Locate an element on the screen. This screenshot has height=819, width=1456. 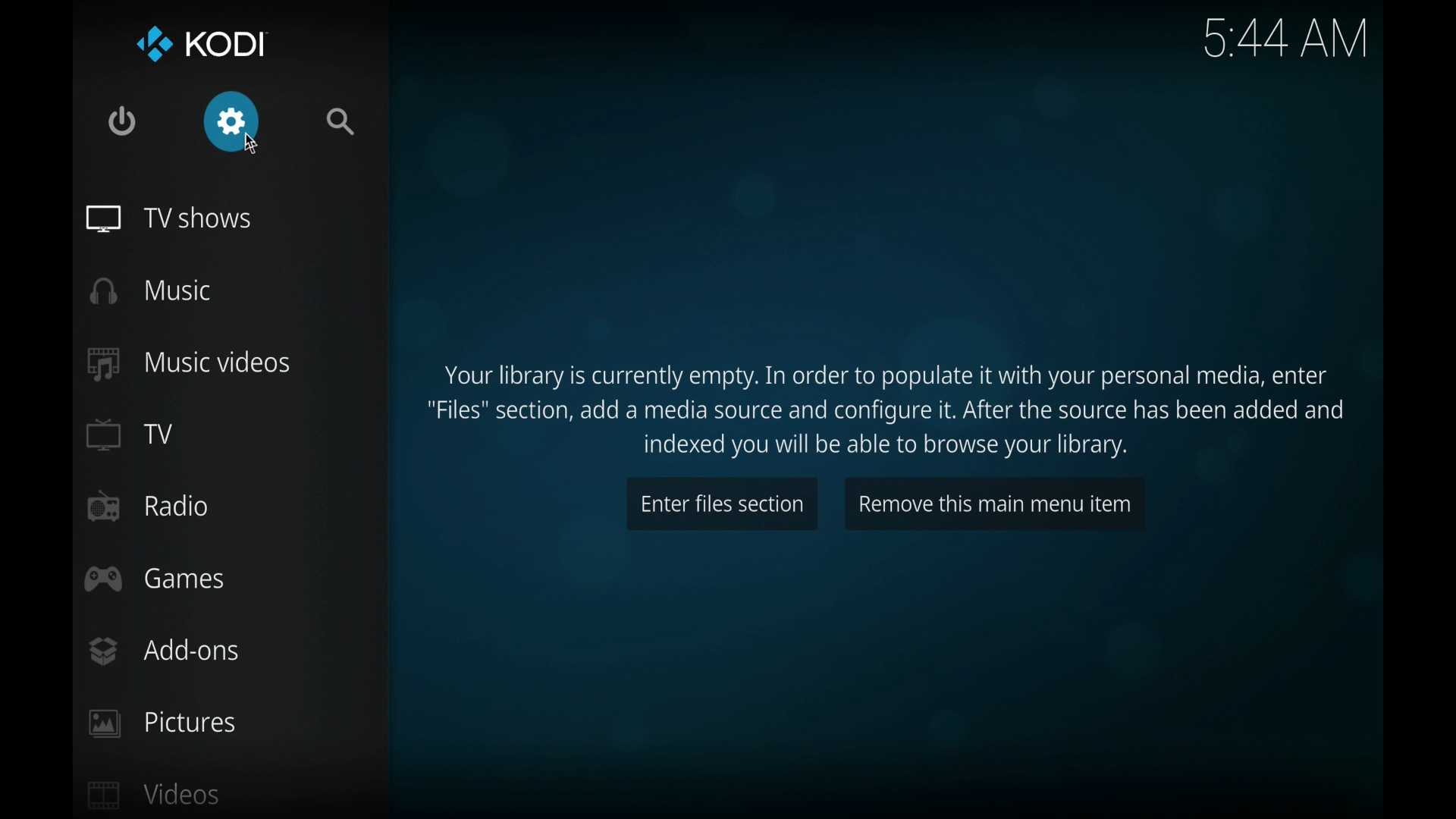
tv shows is located at coordinates (167, 218).